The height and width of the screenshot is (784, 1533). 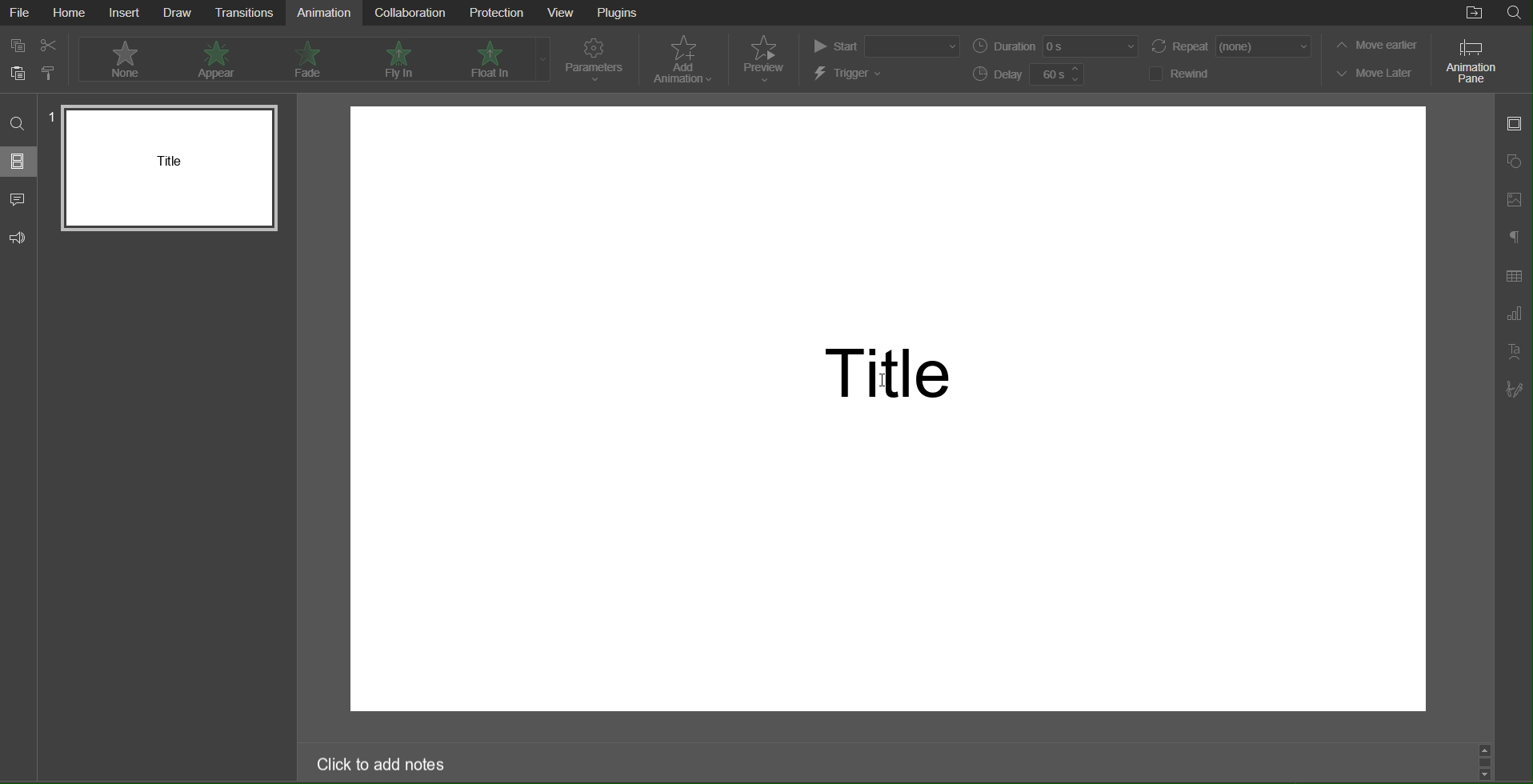 What do you see at coordinates (1513, 124) in the screenshot?
I see `Slide Settings` at bounding box center [1513, 124].